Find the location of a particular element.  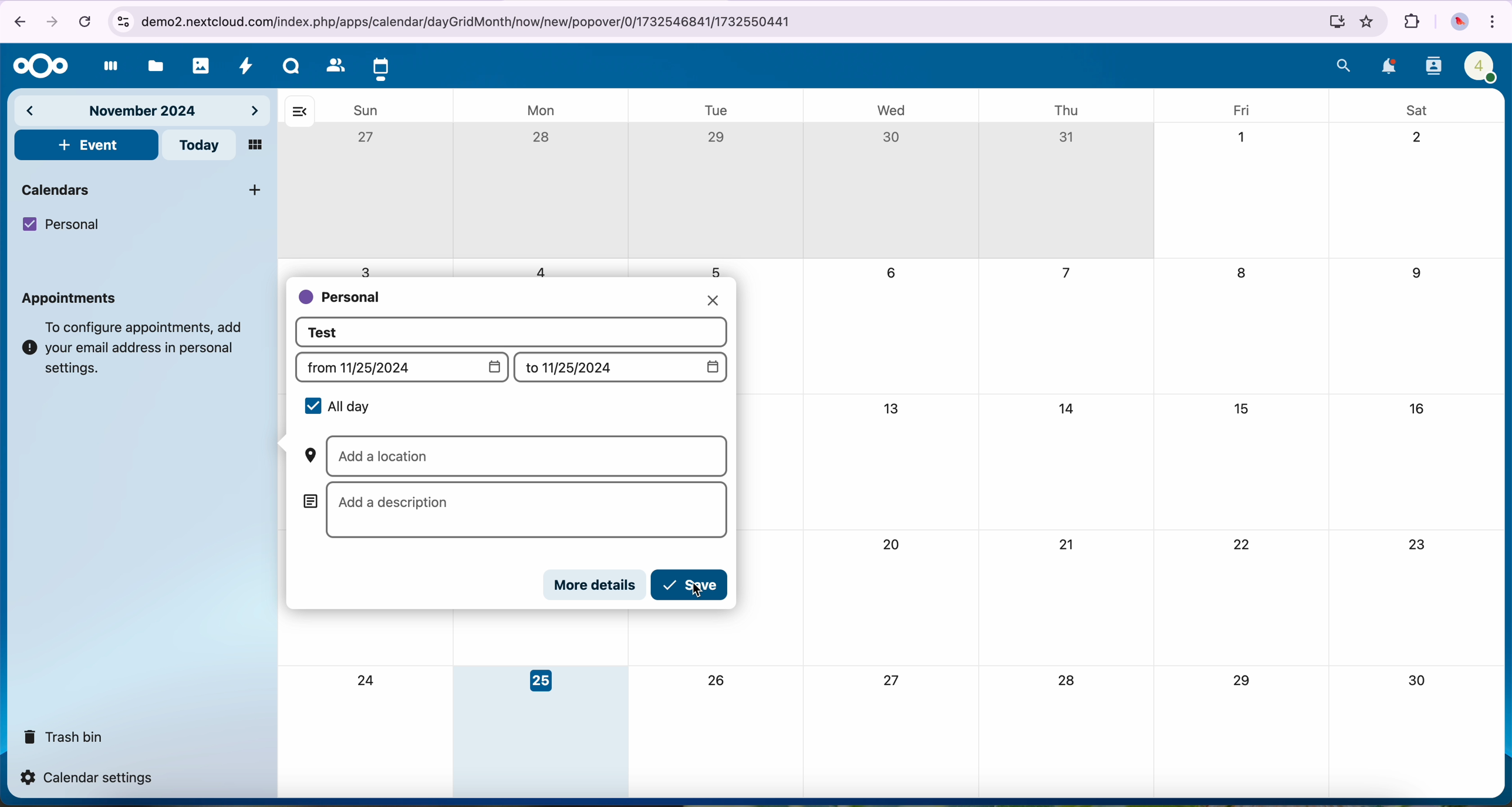

from (date) is located at coordinates (403, 368).